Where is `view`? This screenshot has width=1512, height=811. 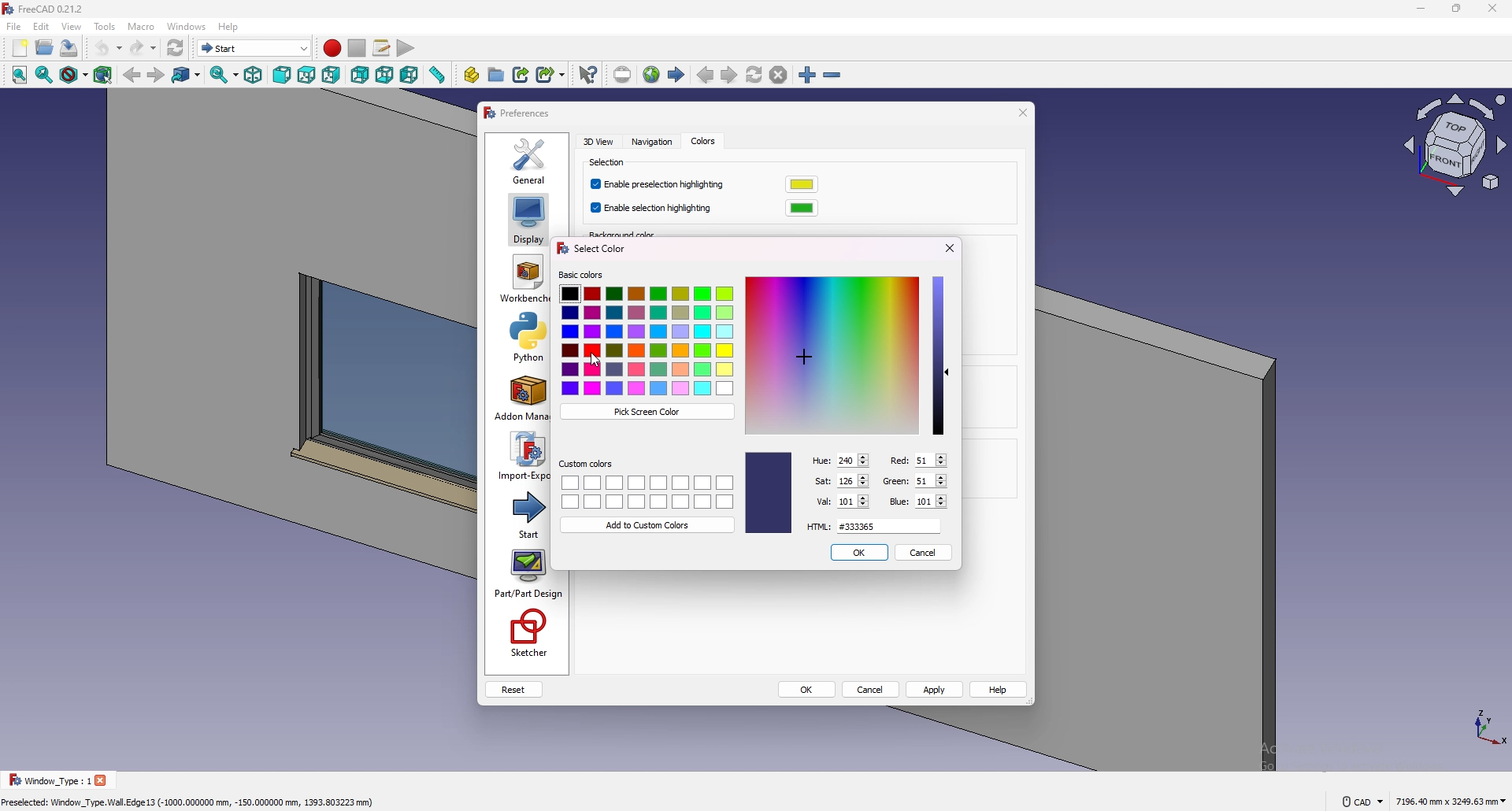
view is located at coordinates (72, 26).